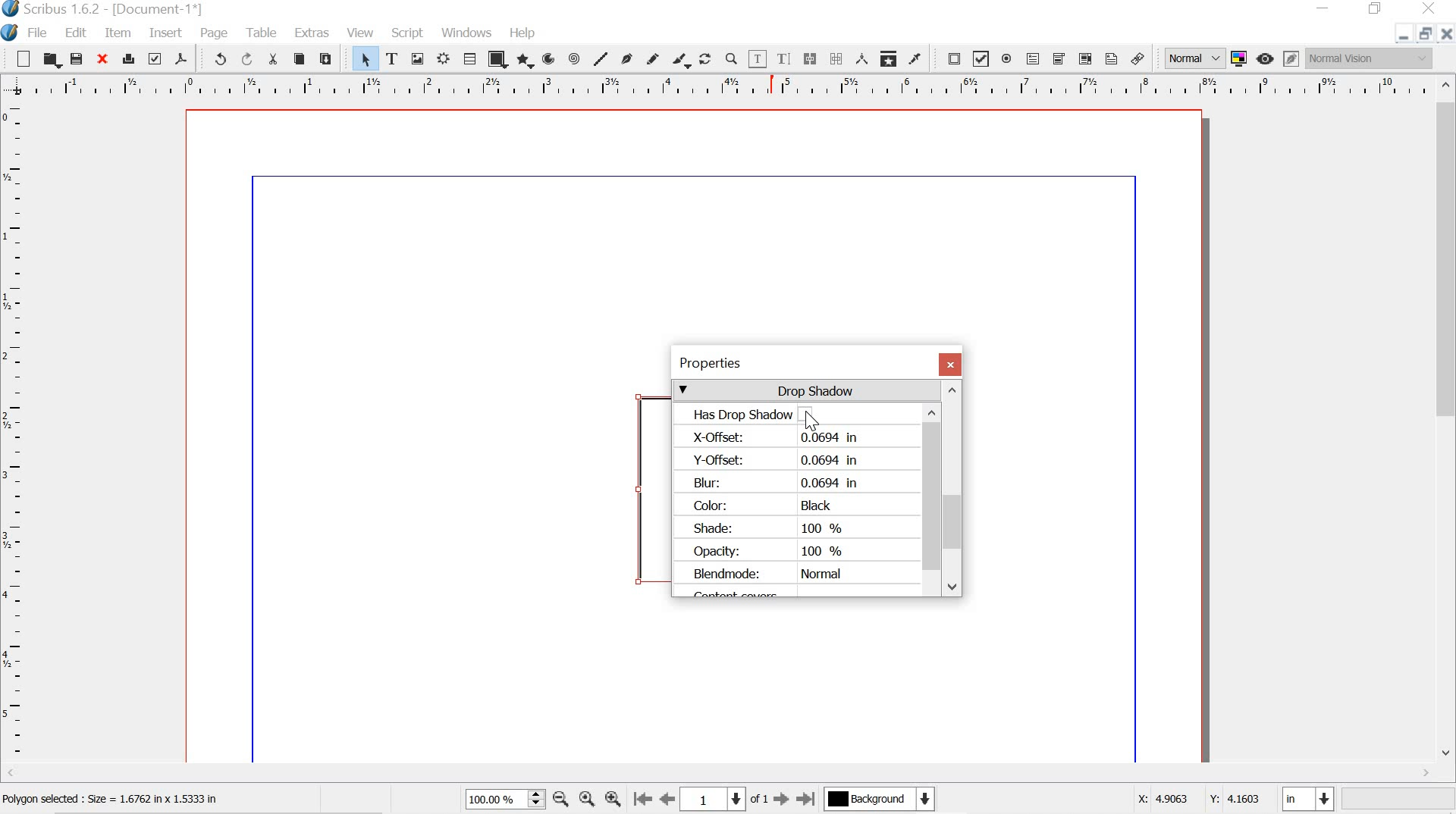  Describe the element at coordinates (731, 58) in the screenshot. I see `zoom in or out` at that location.